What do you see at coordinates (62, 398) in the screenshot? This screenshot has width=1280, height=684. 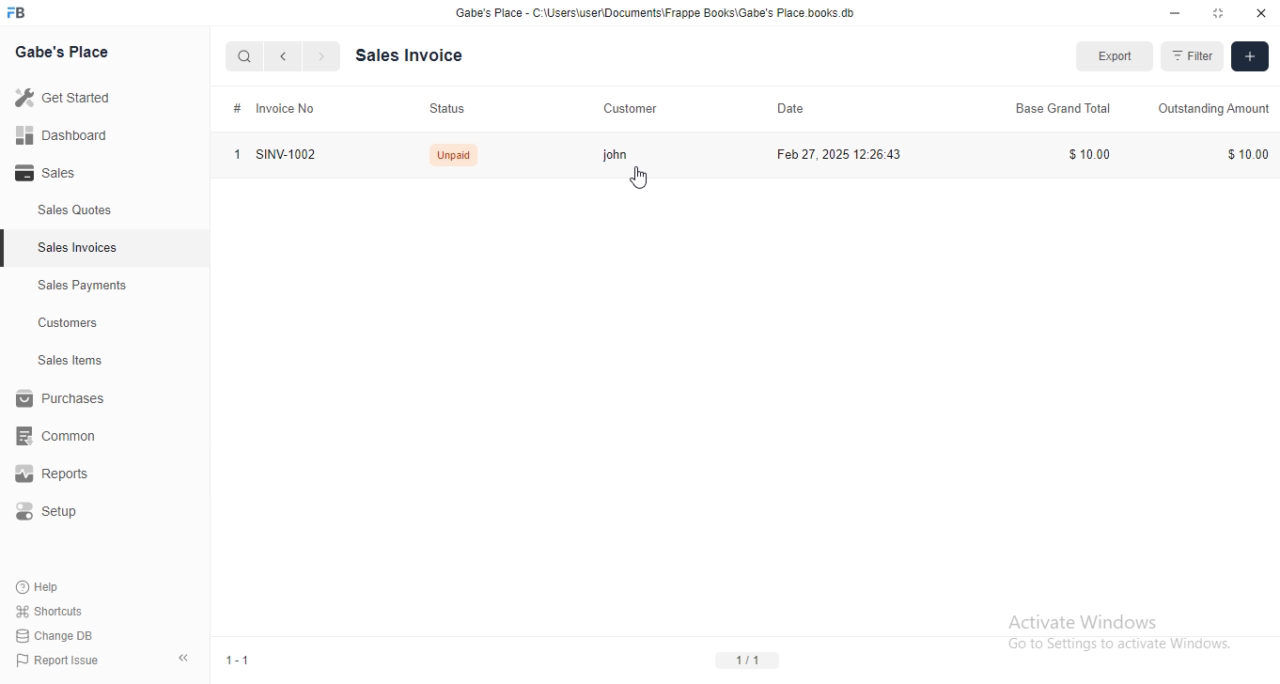 I see `purchases` at bounding box center [62, 398].